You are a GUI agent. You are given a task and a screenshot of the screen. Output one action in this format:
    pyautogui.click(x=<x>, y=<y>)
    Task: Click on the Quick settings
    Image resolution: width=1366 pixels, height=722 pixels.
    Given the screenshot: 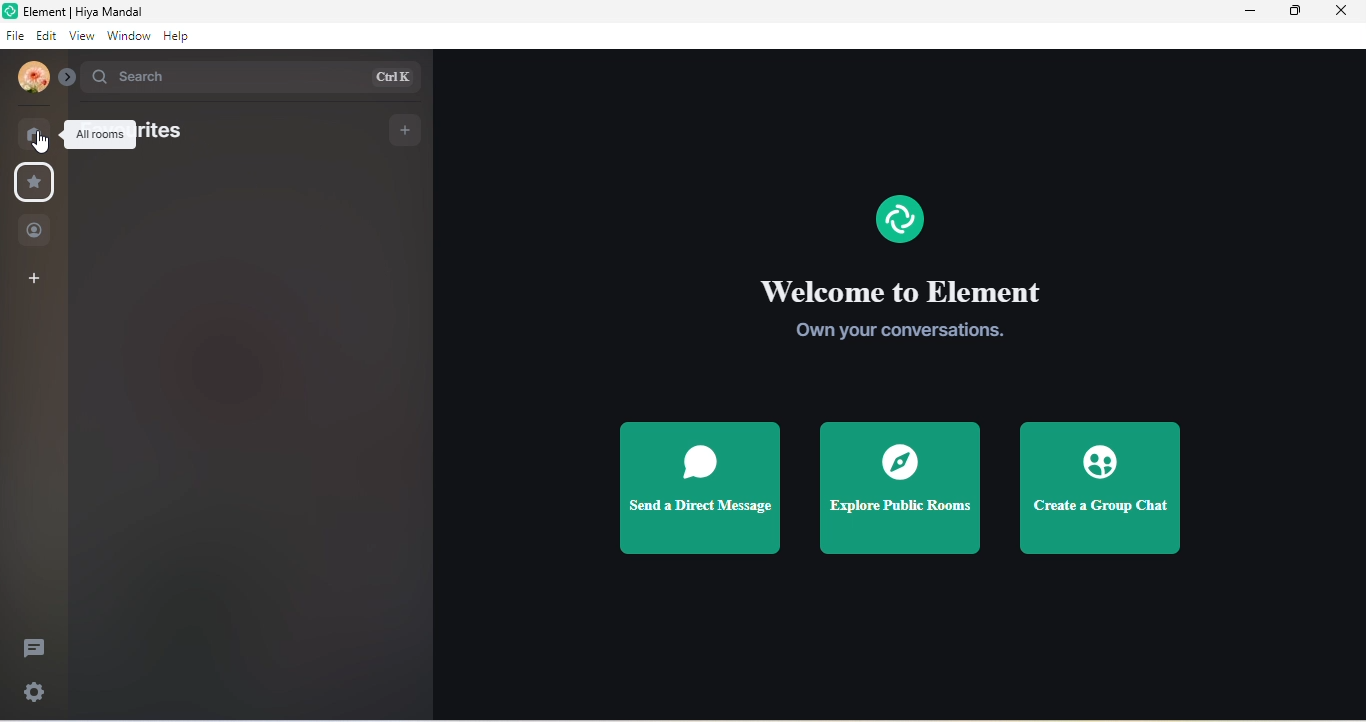 What is the action you would take?
    pyautogui.click(x=34, y=692)
    